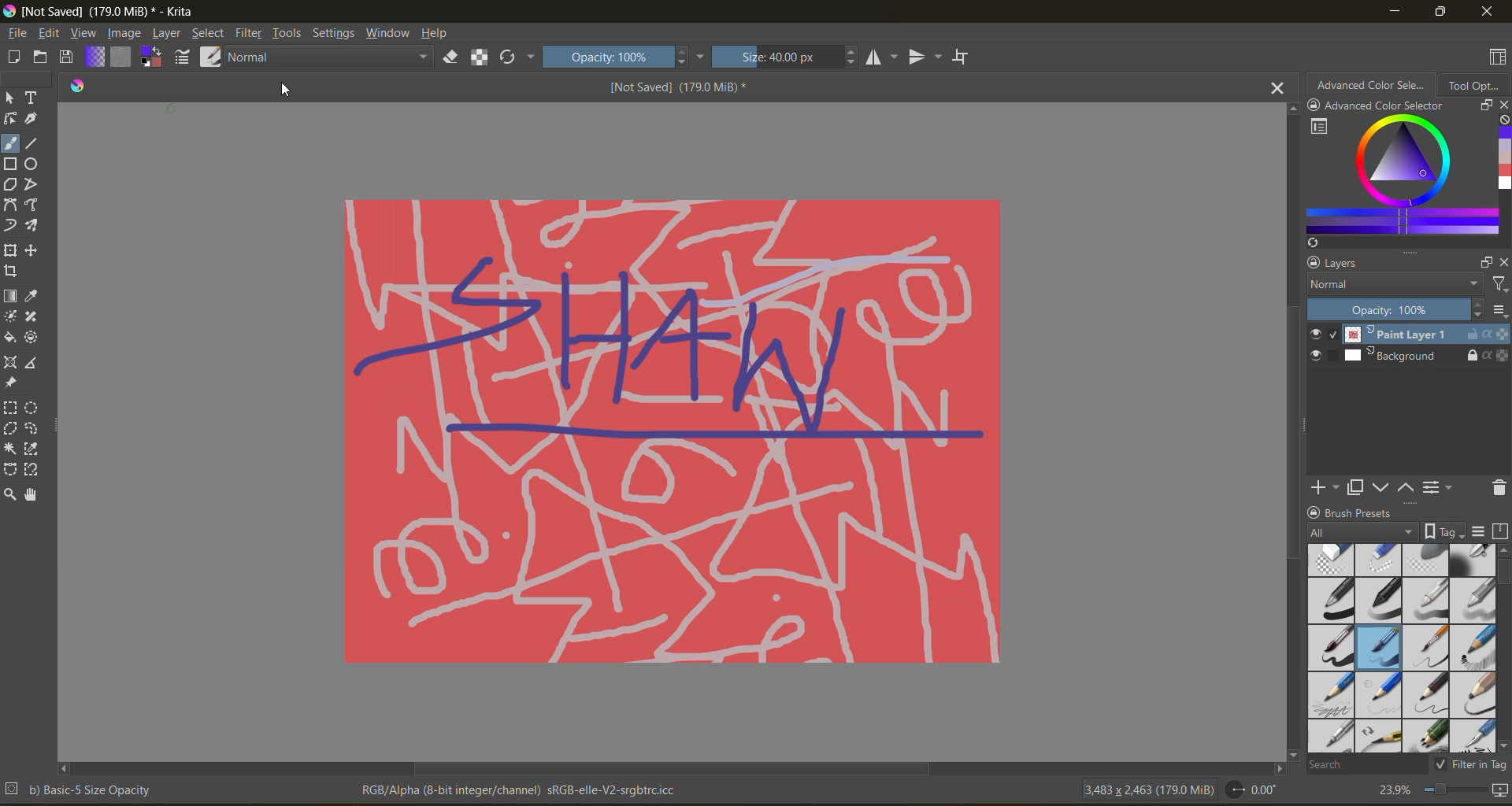  I want to click on lock docker, so click(1316, 512).